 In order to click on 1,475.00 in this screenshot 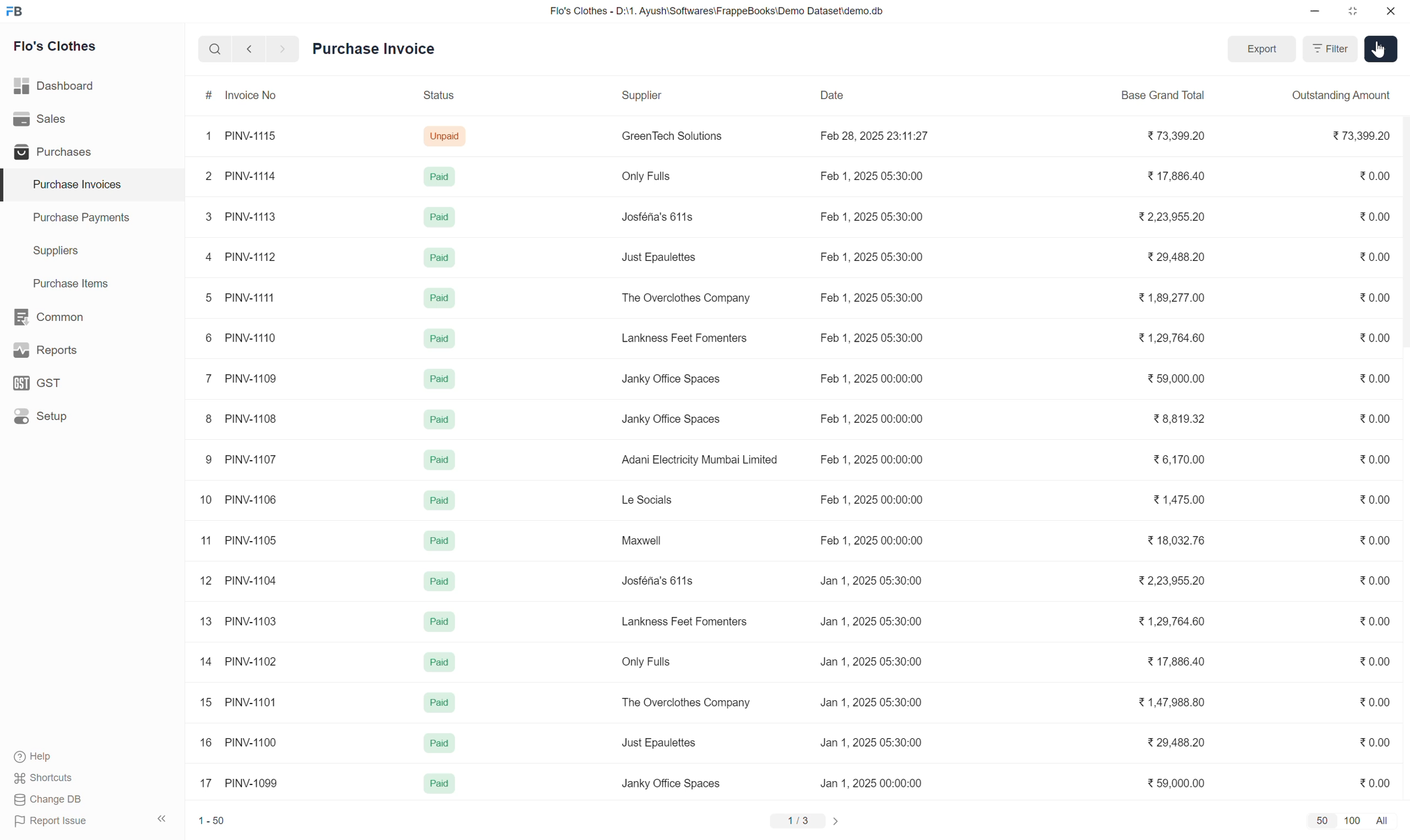, I will do `click(1181, 500)`.